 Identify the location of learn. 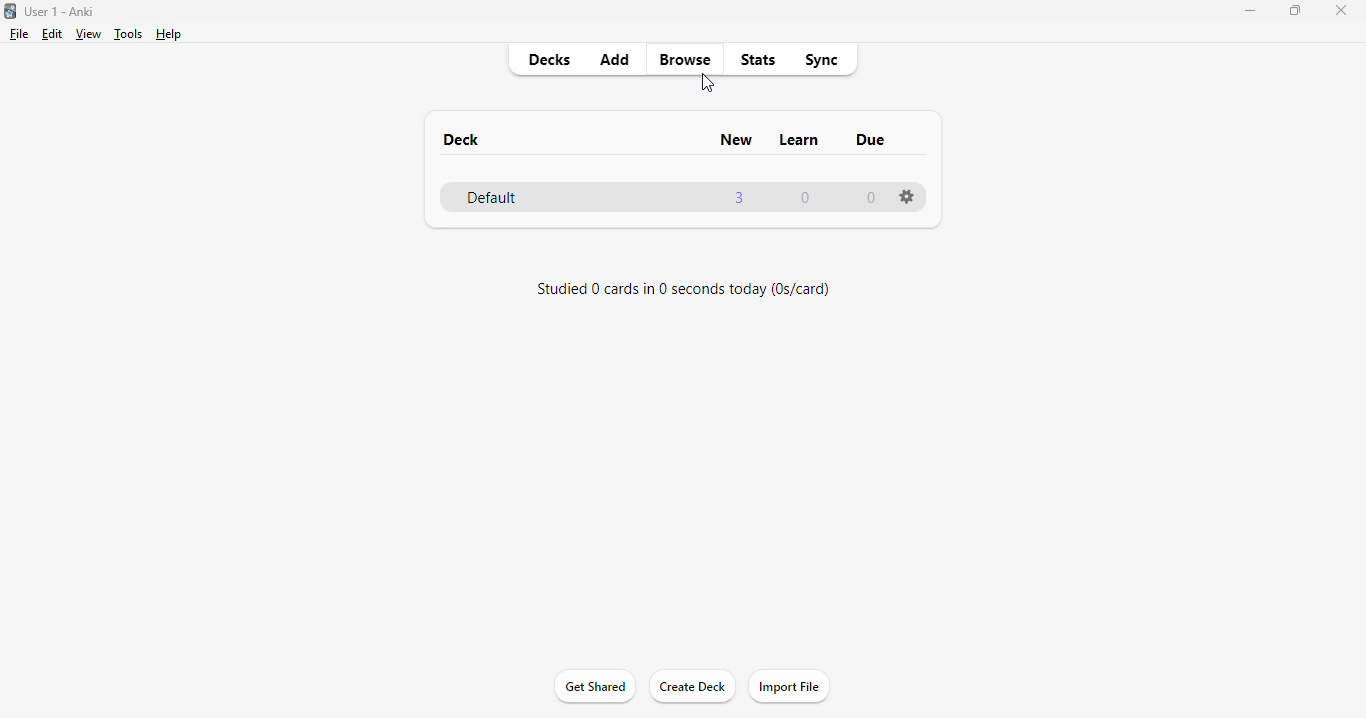
(800, 140).